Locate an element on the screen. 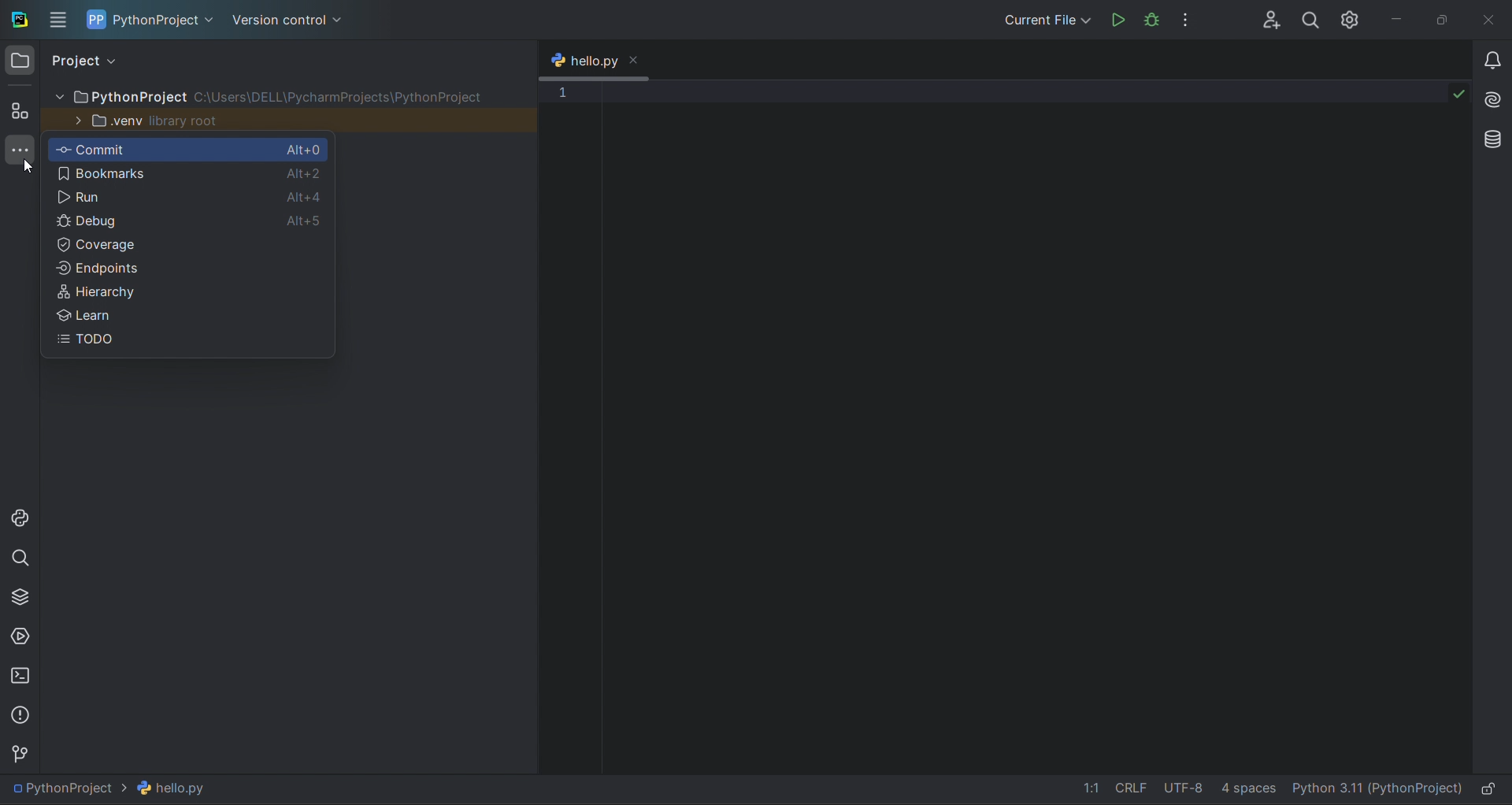 The image size is (1512, 805). hierarchy is located at coordinates (186, 289).